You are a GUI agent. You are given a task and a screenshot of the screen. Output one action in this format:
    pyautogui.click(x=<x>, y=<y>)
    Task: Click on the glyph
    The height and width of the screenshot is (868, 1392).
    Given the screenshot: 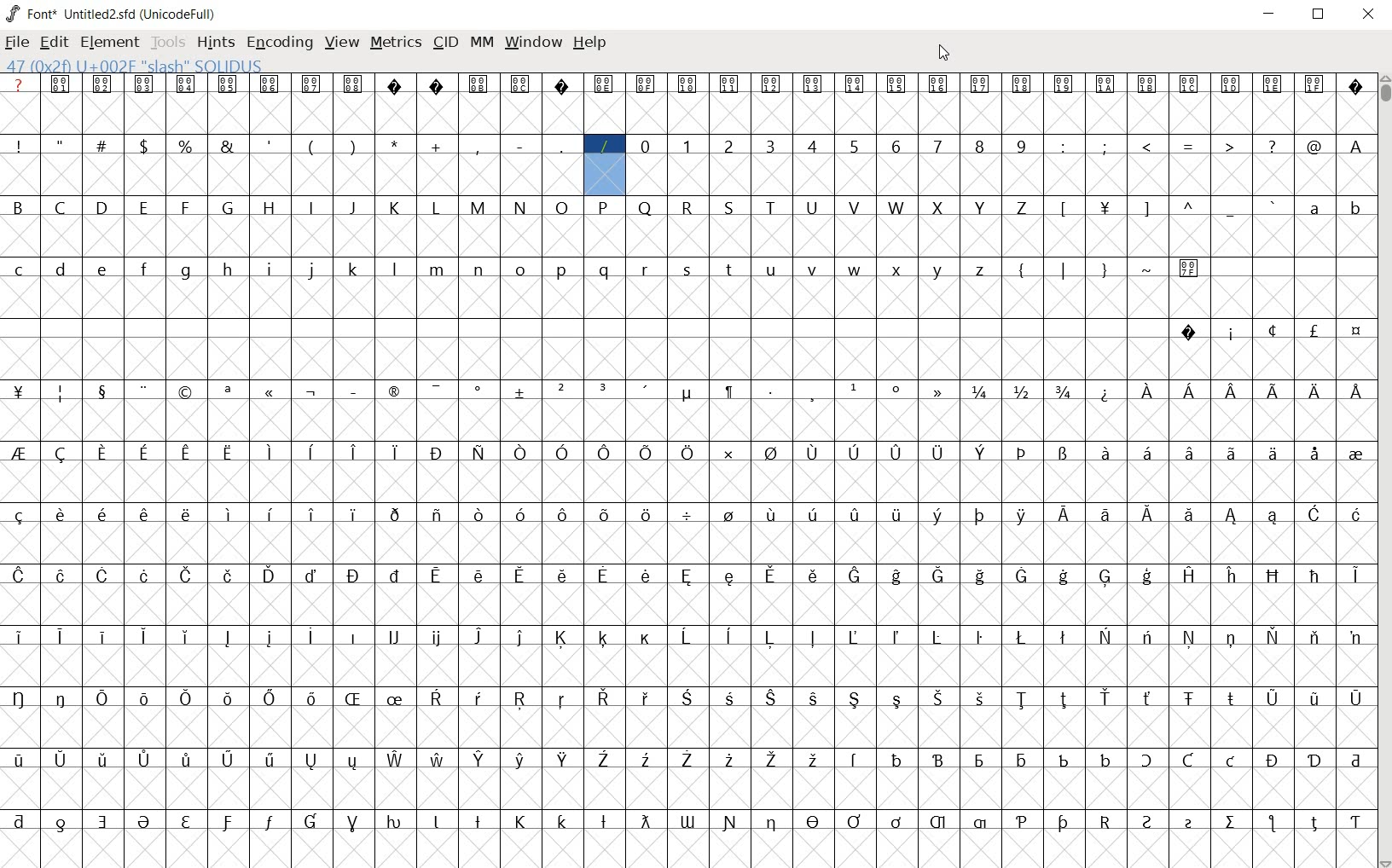 What is the action you would take?
    pyautogui.click(x=939, y=698)
    